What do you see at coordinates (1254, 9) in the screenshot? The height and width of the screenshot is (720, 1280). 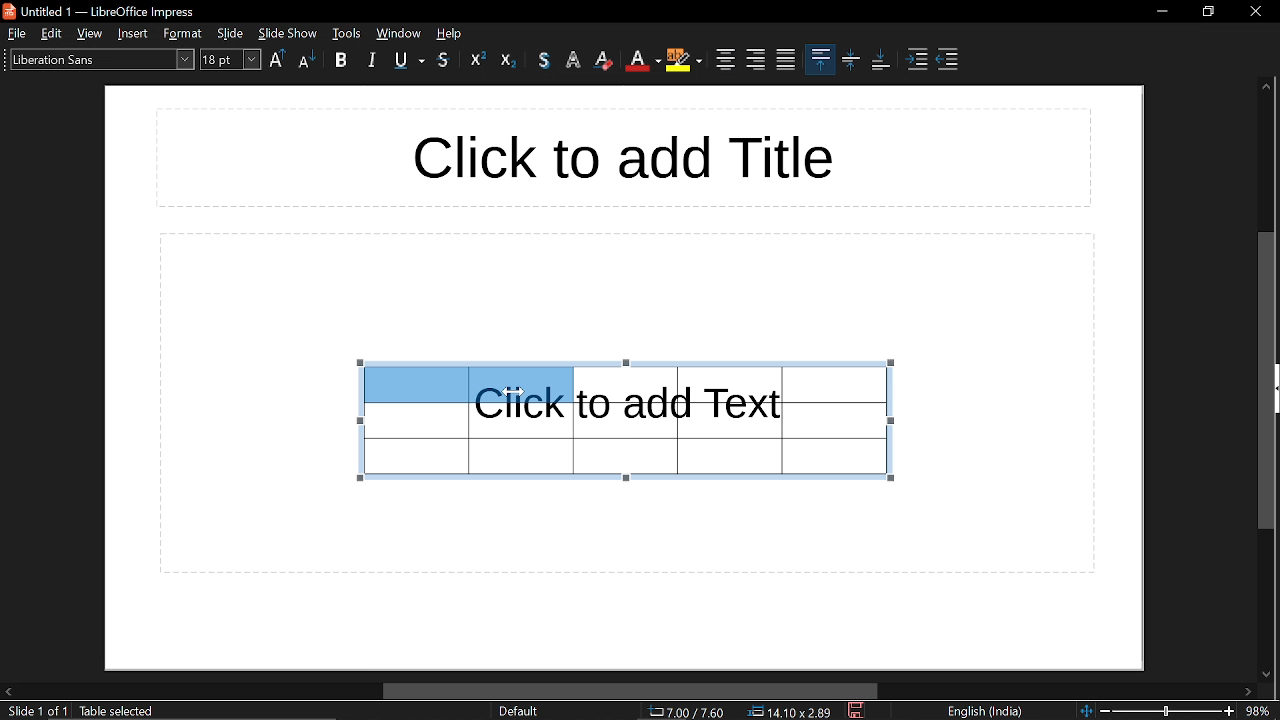 I see `close` at bounding box center [1254, 9].